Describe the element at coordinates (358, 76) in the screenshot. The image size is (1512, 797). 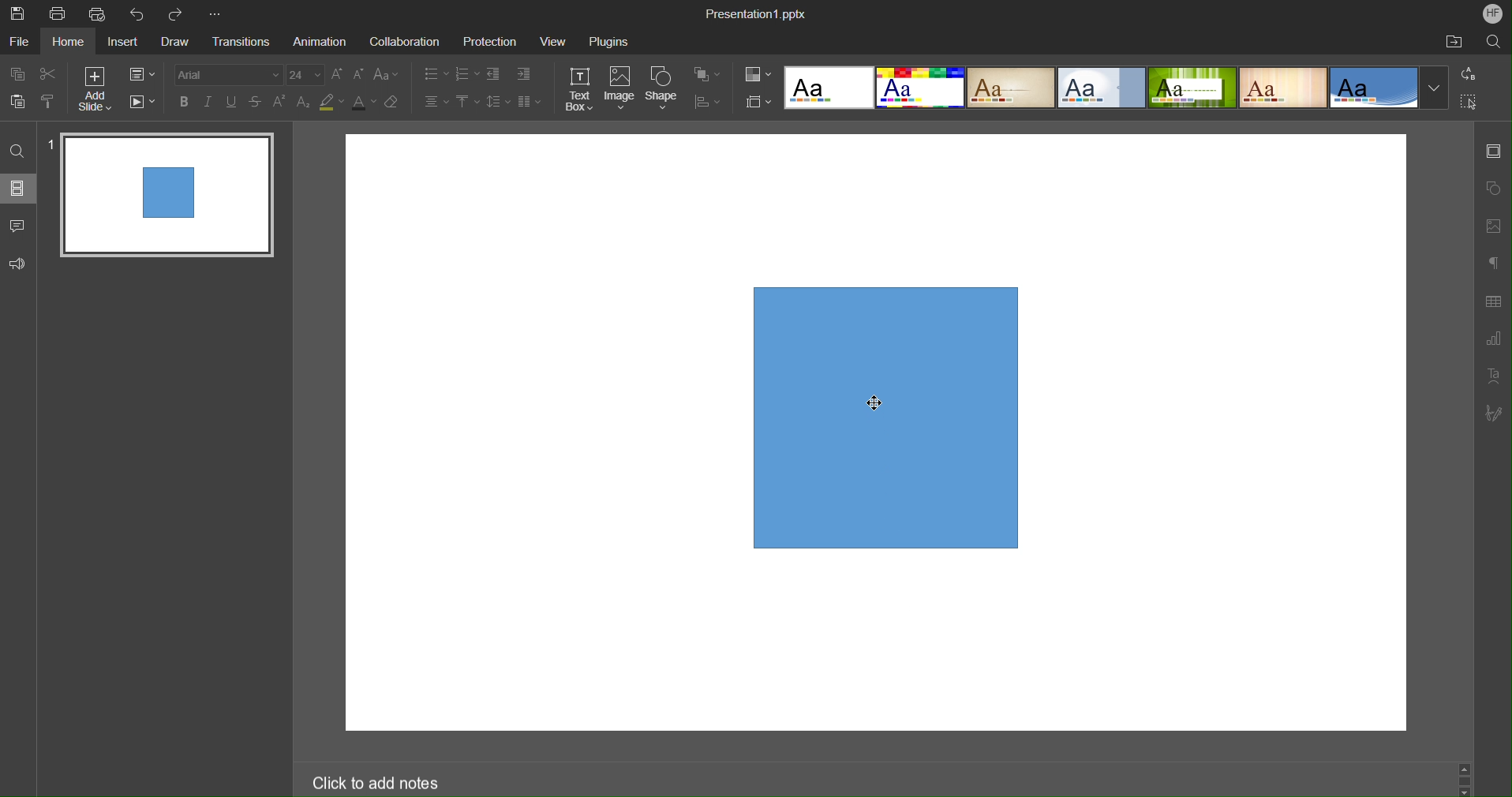
I see `Decrease Font` at that location.